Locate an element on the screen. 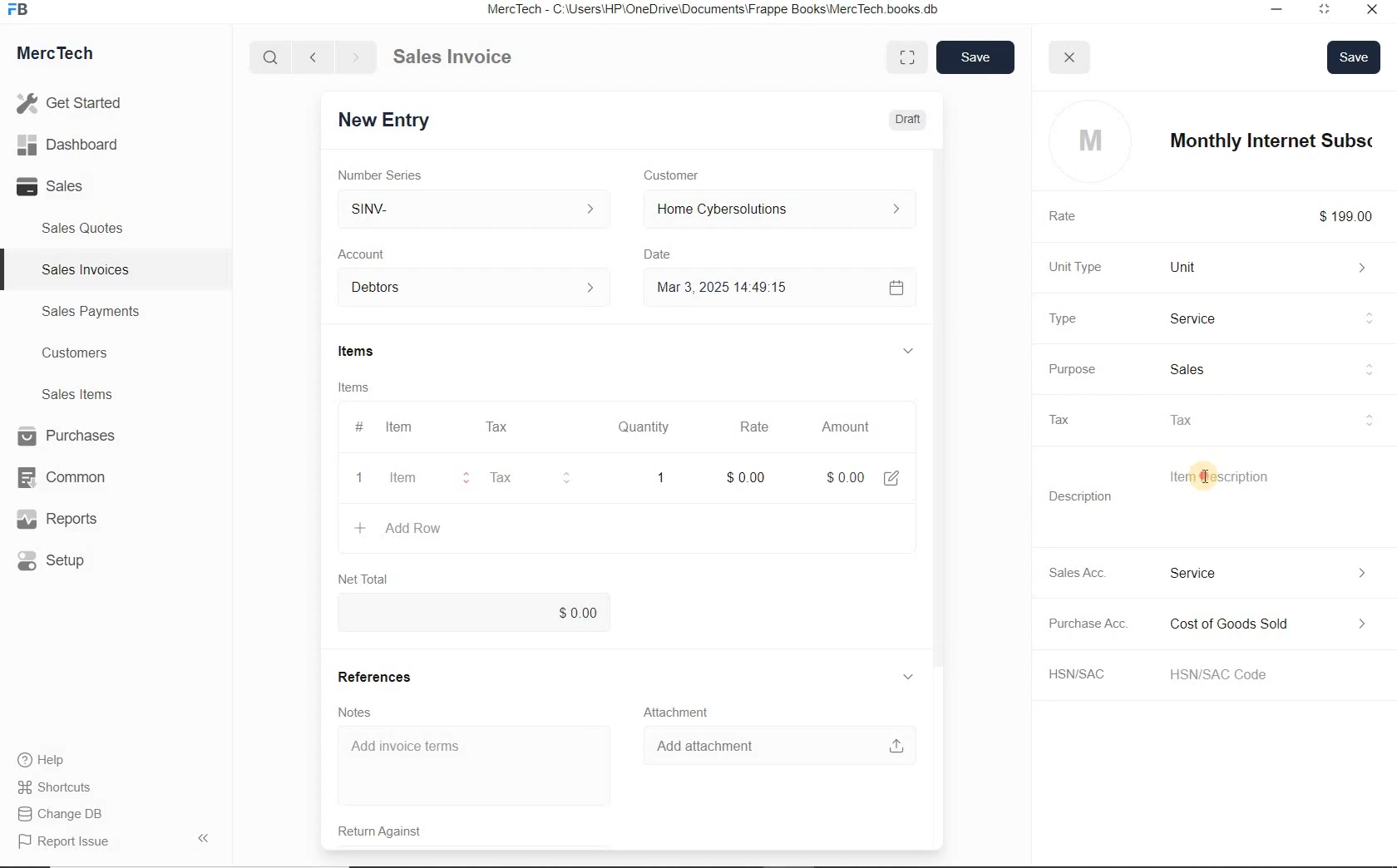  MercTech - C:\Users\HP\OneDrive\Documents\Frappe Books\MercTech books db is located at coordinates (715, 10).